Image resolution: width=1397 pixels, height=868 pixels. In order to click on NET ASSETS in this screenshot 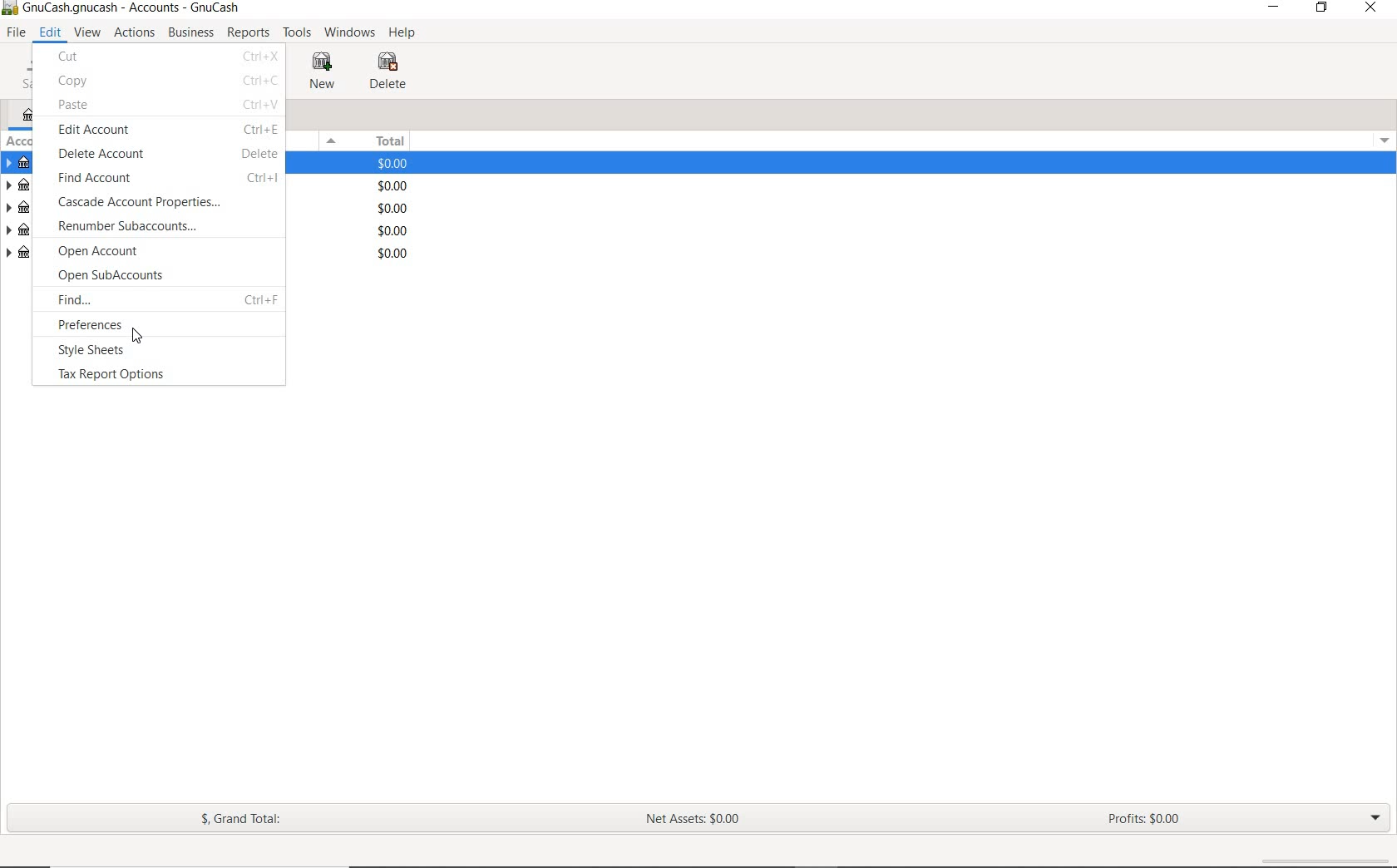, I will do `click(694, 820)`.